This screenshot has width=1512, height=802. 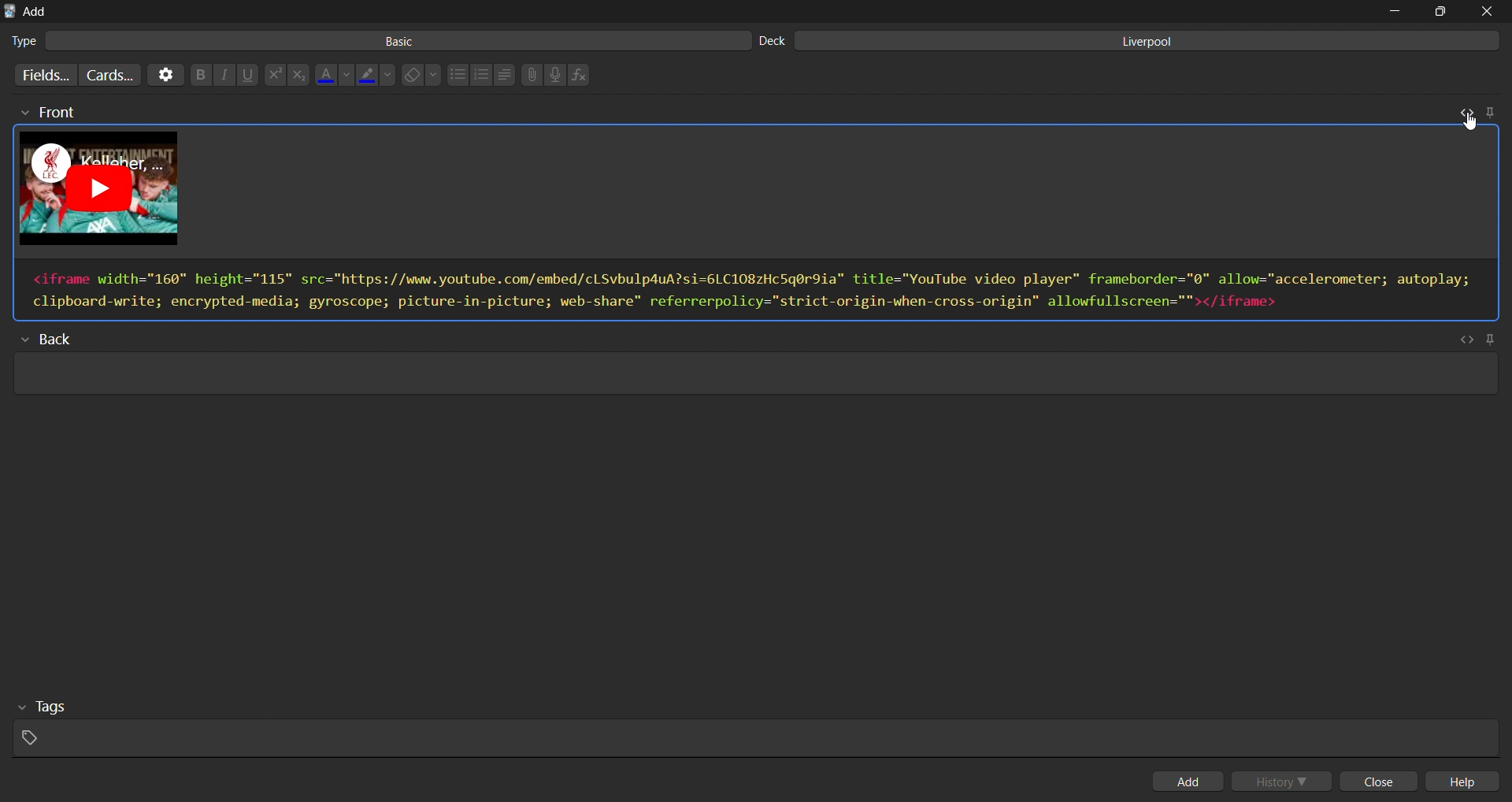 What do you see at coordinates (249, 75) in the screenshot?
I see `underline` at bounding box center [249, 75].